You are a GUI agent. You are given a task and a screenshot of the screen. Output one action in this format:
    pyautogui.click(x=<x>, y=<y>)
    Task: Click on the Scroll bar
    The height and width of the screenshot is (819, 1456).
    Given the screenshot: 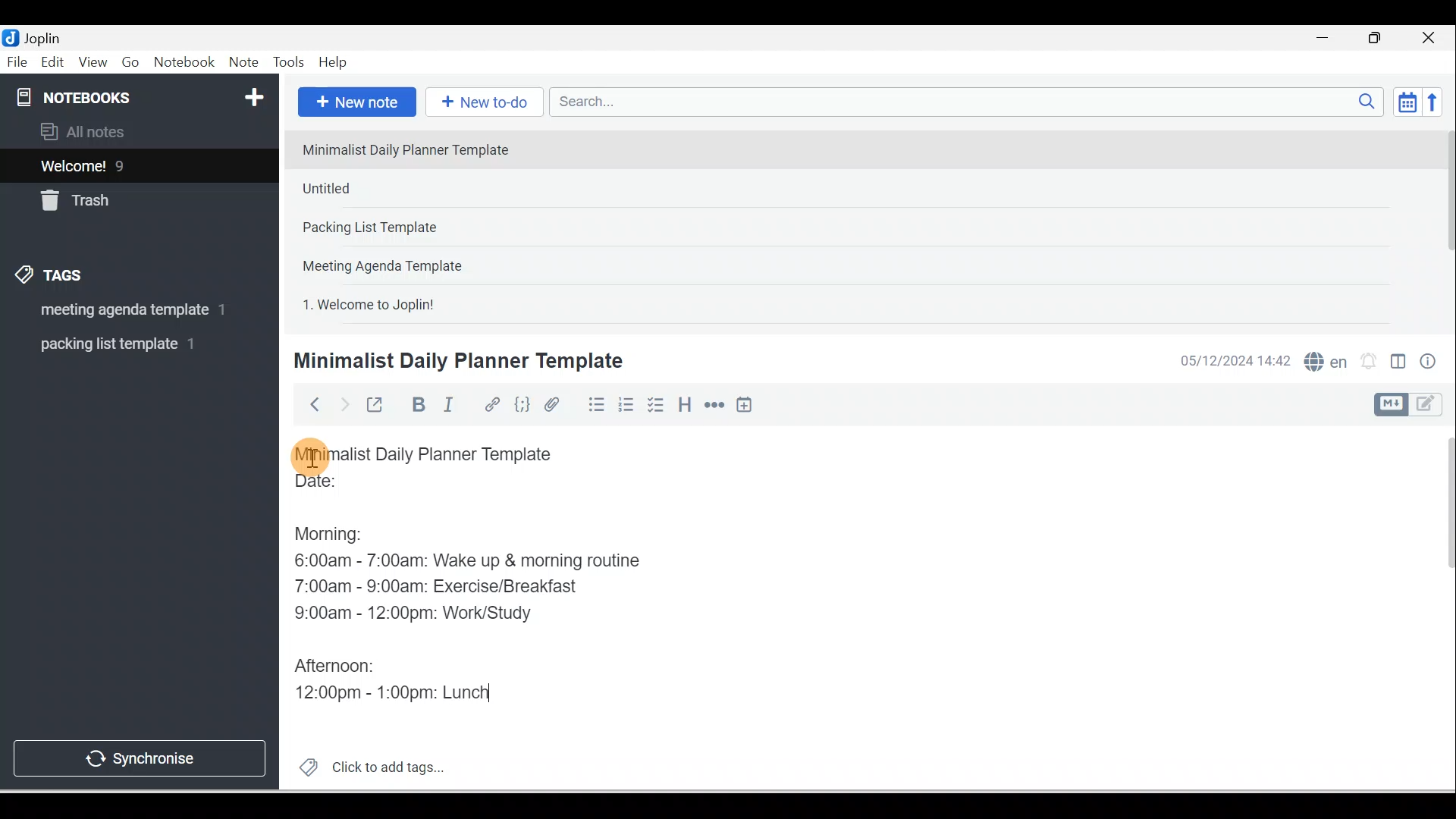 What is the action you would take?
    pyautogui.click(x=1444, y=224)
    